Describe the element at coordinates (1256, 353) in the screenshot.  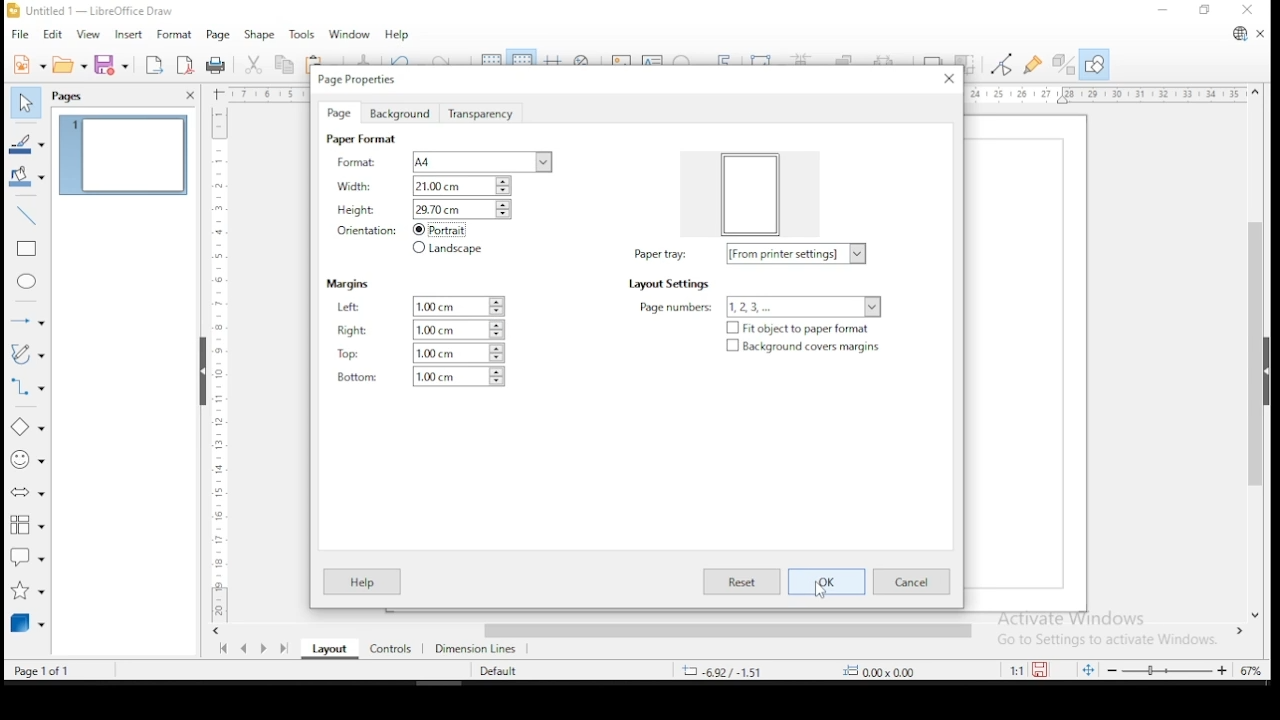
I see `scroll bar` at that location.